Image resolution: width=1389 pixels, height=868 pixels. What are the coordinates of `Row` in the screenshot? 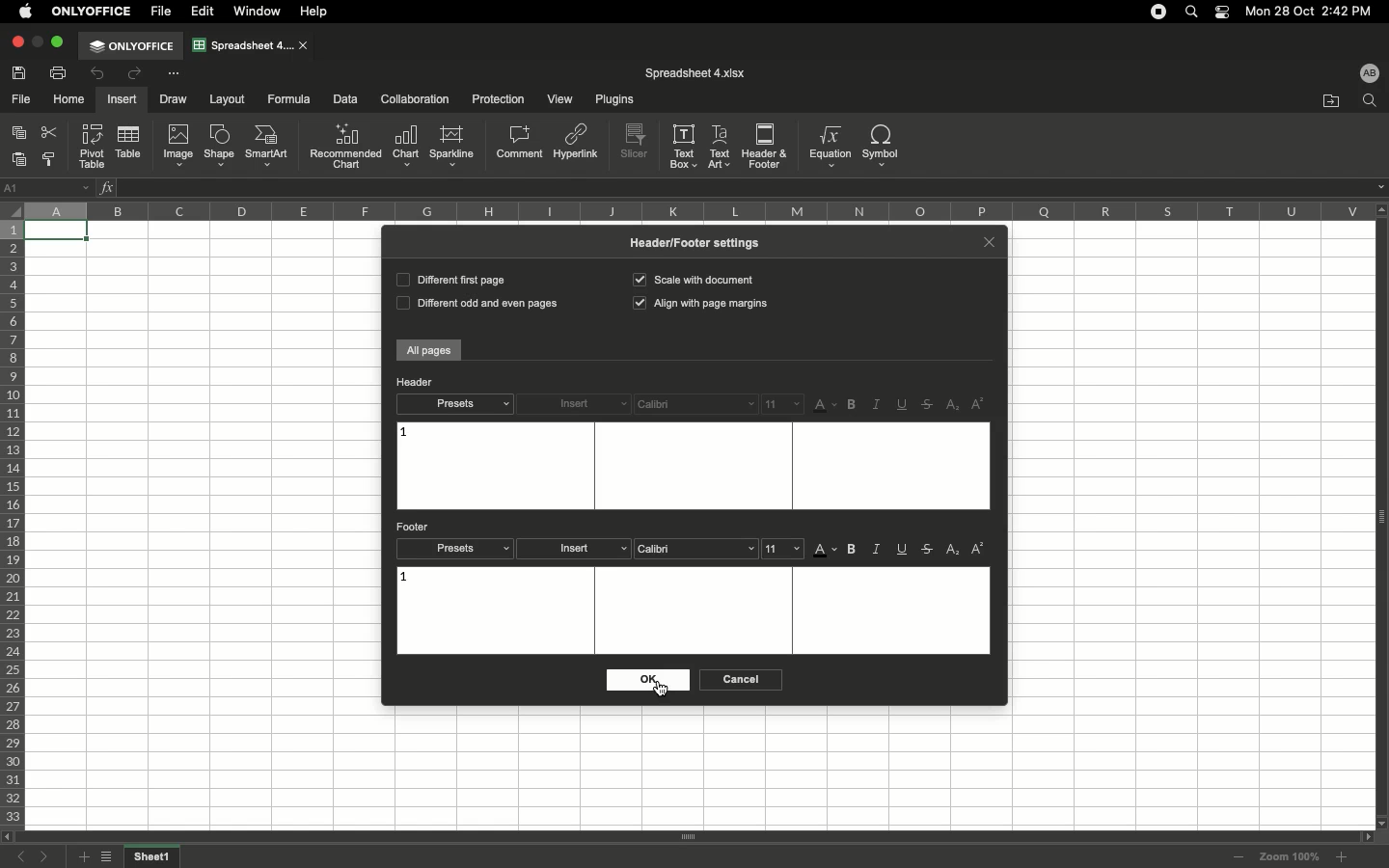 It's located at (14, 524).